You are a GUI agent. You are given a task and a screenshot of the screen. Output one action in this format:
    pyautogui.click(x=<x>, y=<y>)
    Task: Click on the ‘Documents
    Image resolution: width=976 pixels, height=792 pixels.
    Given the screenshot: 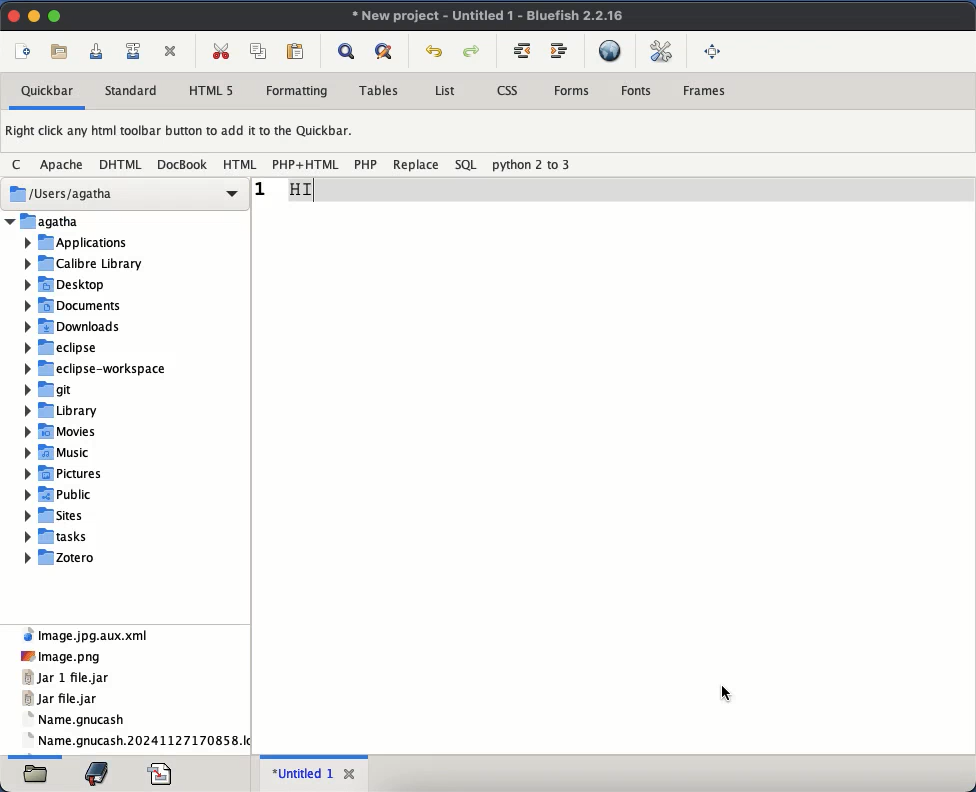 What is the action you would take?
    pyautogui.click(x=71, y=305)
    